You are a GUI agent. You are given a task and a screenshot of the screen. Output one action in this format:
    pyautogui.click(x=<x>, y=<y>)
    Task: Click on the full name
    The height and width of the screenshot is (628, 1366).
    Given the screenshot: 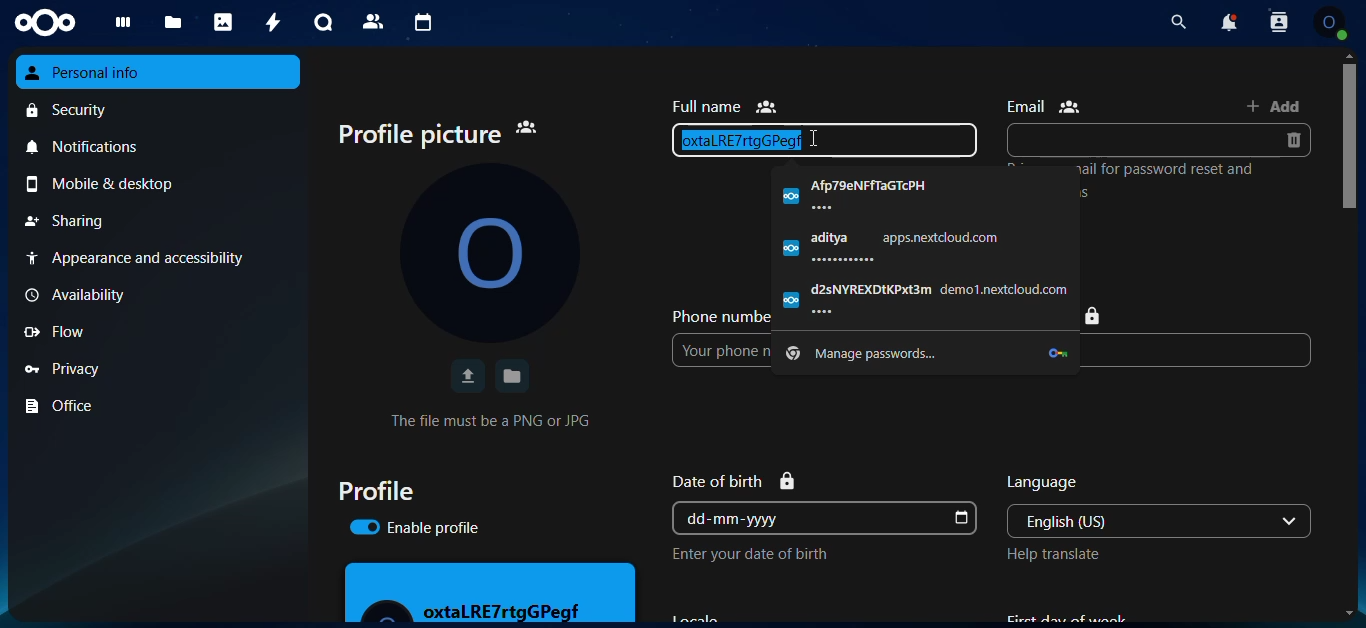 What is the action you would take?
    pyautogui.click(x=724, y=106)
    